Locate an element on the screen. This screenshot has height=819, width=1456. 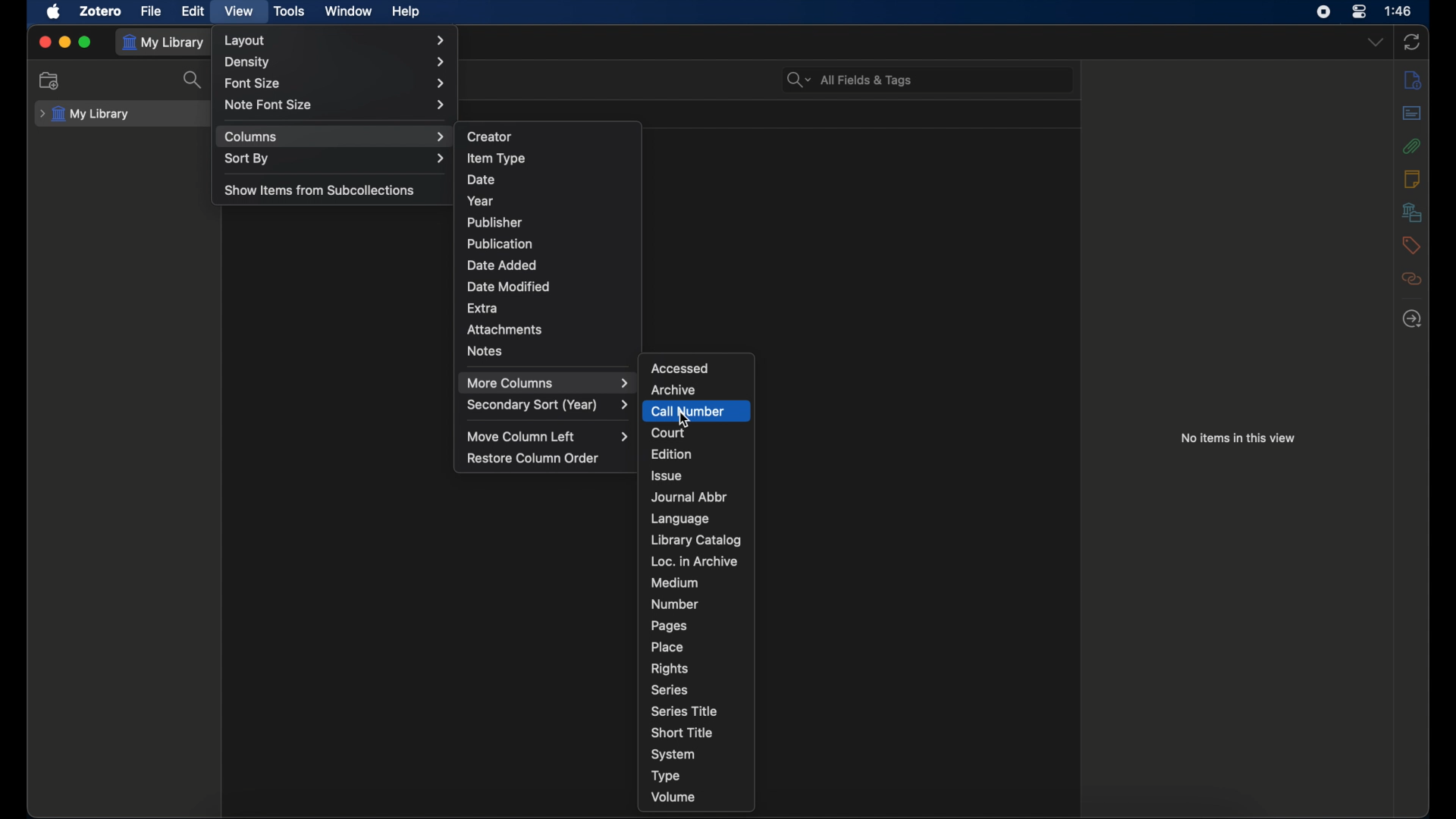
info is located at coordinates (1412, 80).